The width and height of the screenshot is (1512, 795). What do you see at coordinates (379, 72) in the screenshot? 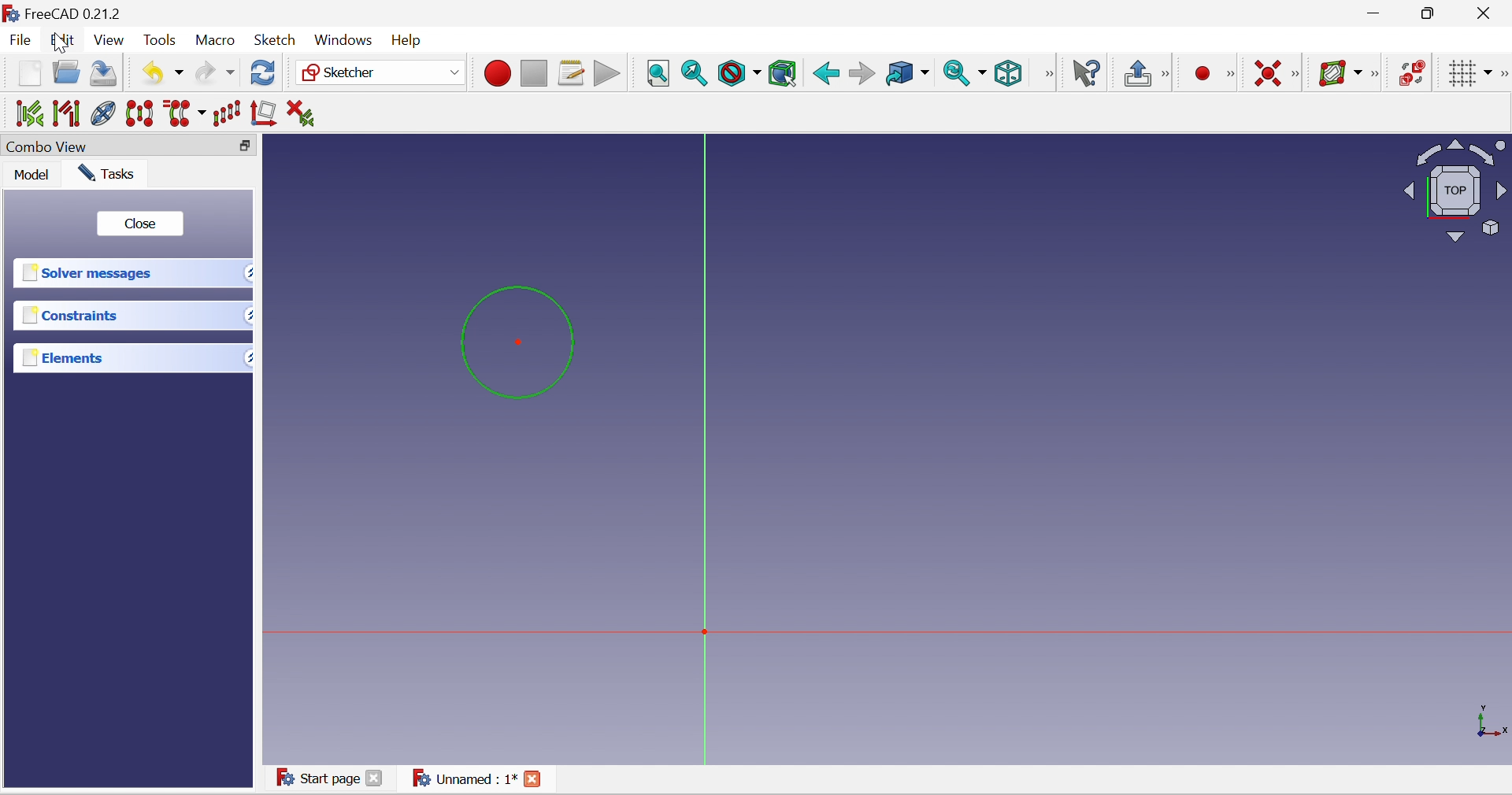
I see `Sketcher` at bounding box center [379, 72].